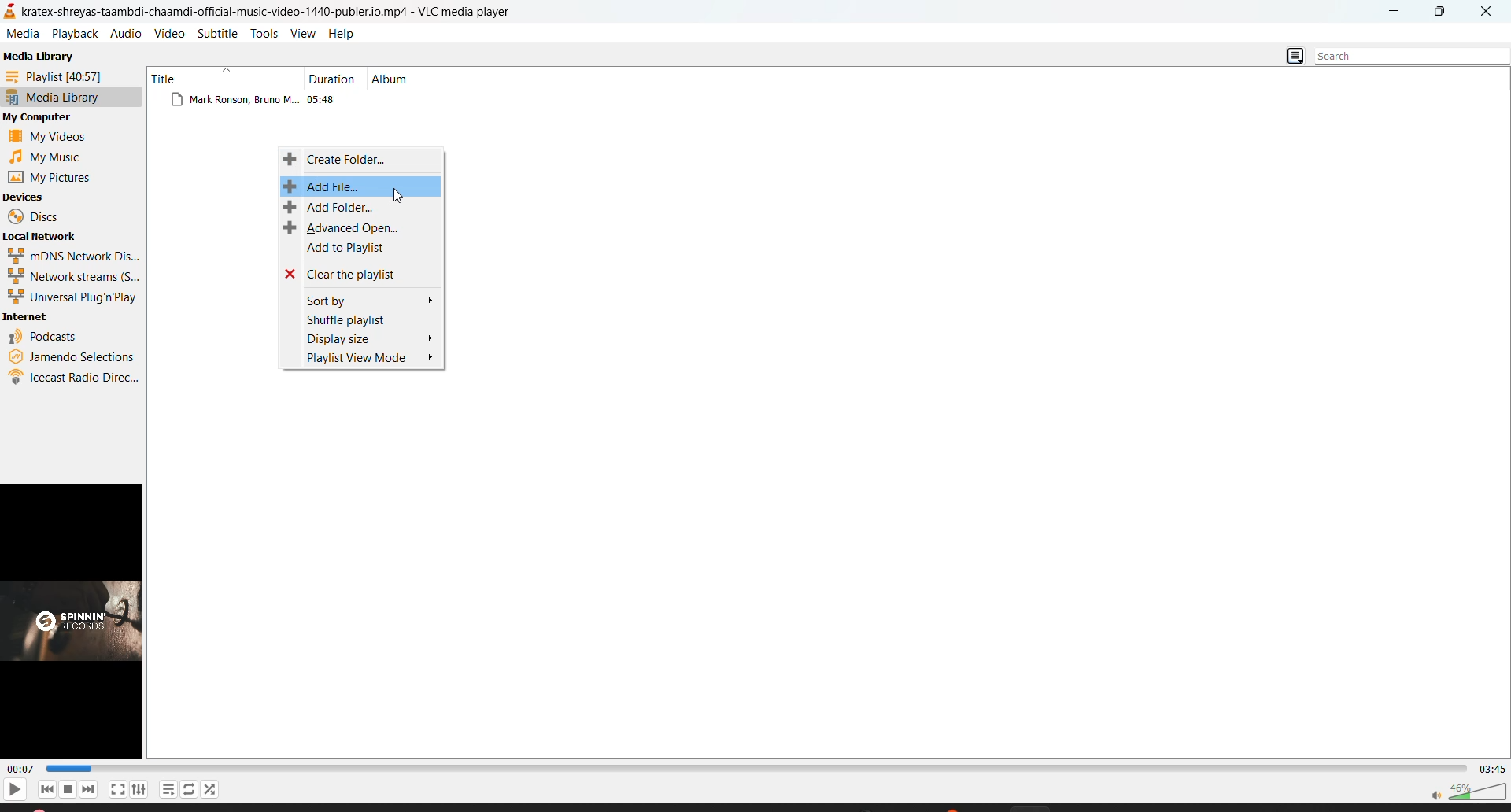 Image resolution: width=1511 pixels, height=812 pixels. Describe the element at coordinates (54, 176) in the screenshot. I see `pictures` at that location.